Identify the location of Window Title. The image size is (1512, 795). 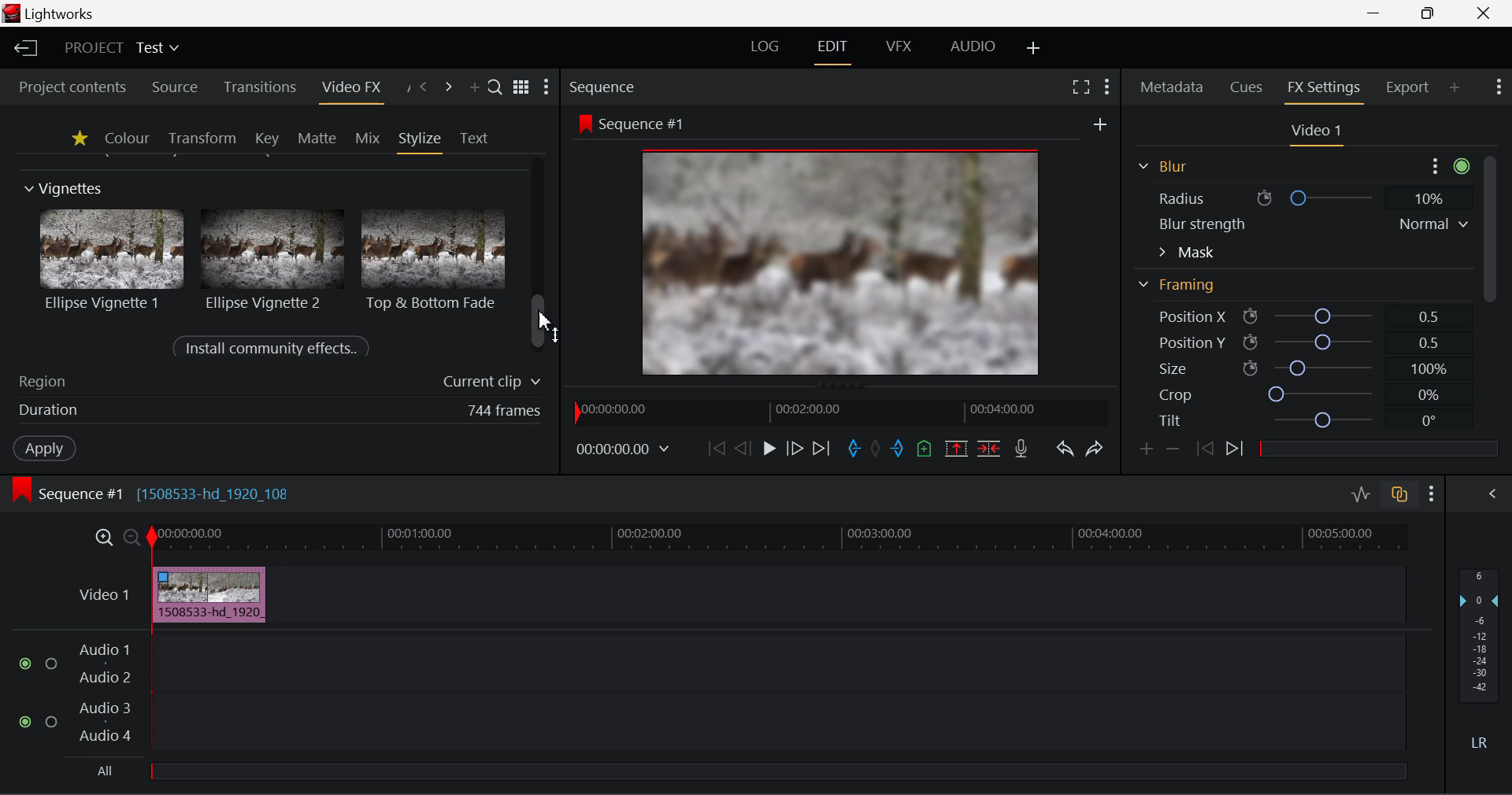
(54, 14).